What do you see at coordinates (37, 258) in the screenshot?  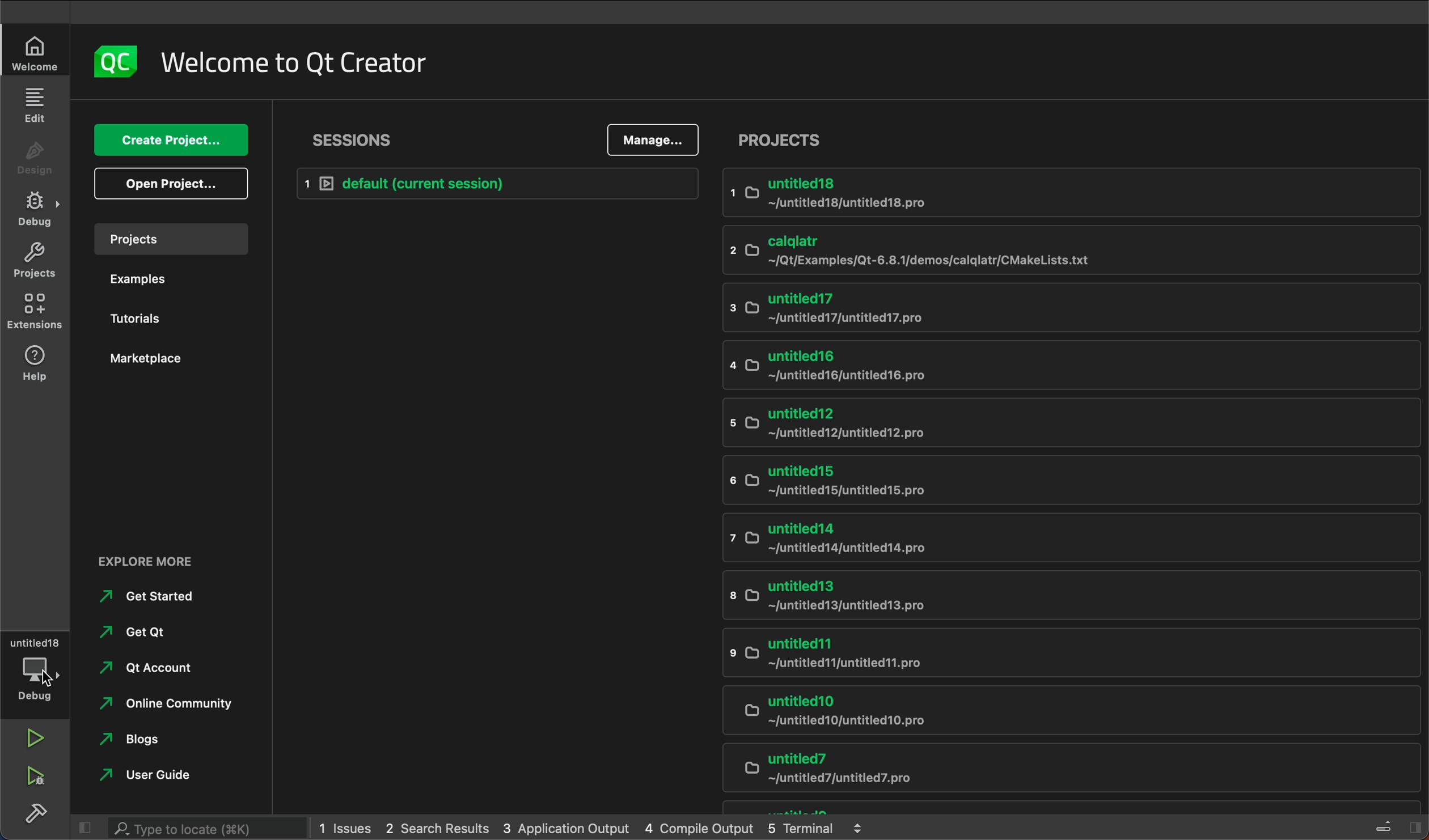 I see `projects` at bounding box center [37, 258].